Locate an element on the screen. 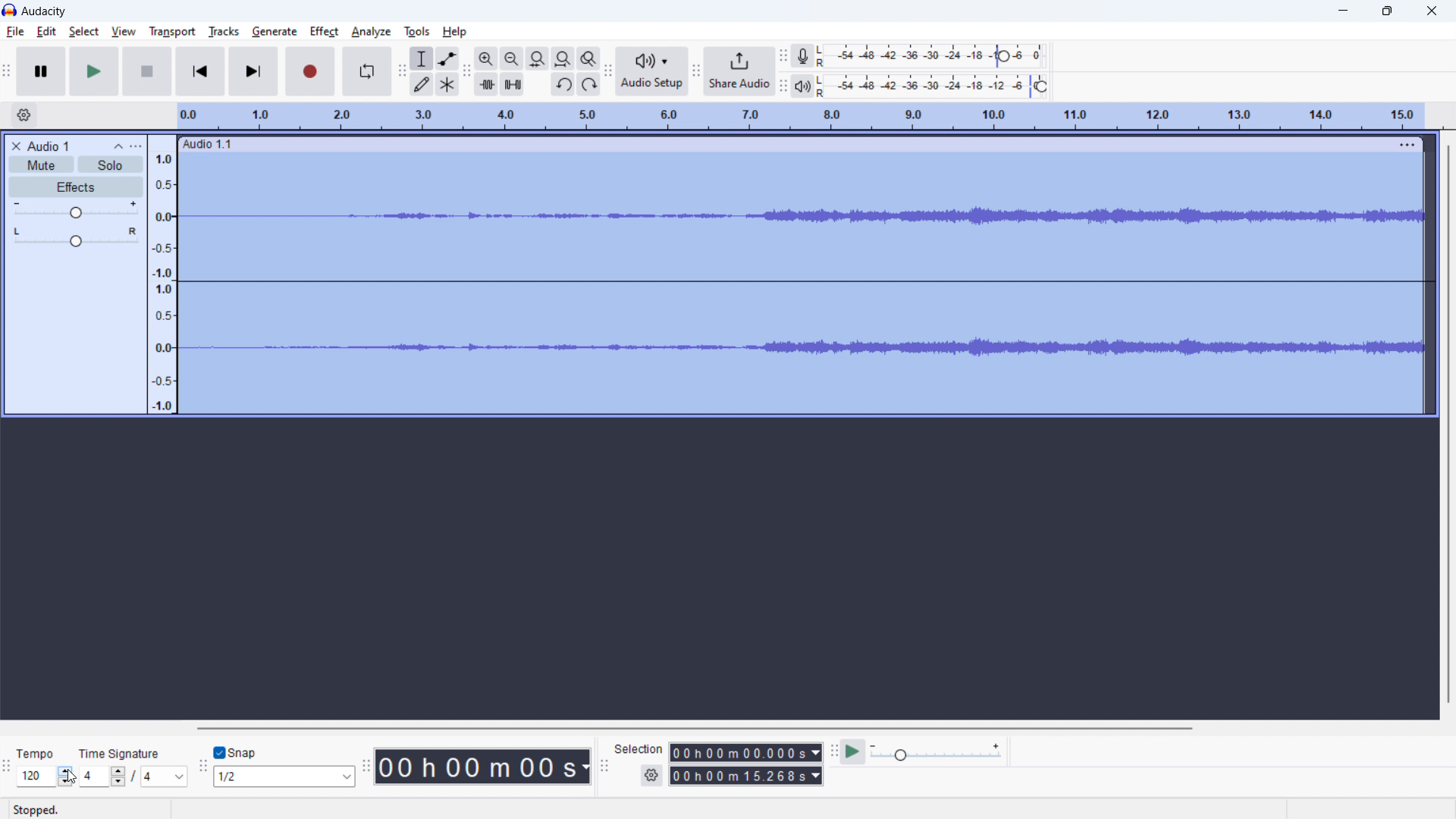 This screenshot has height=819, width=1456. effects is located at coordinates (77, 187).